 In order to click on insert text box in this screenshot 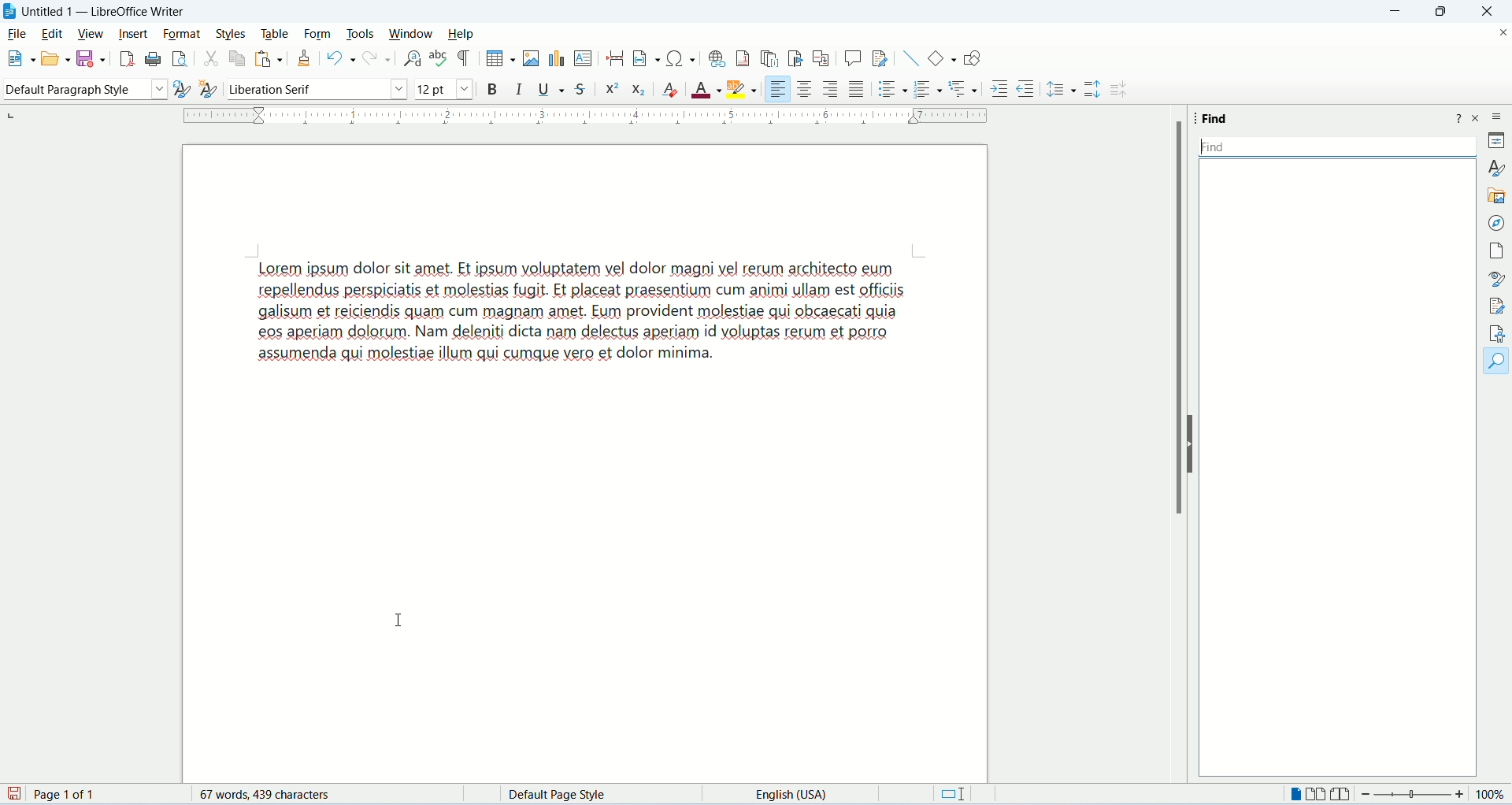, I will do `click(584, 58)`.